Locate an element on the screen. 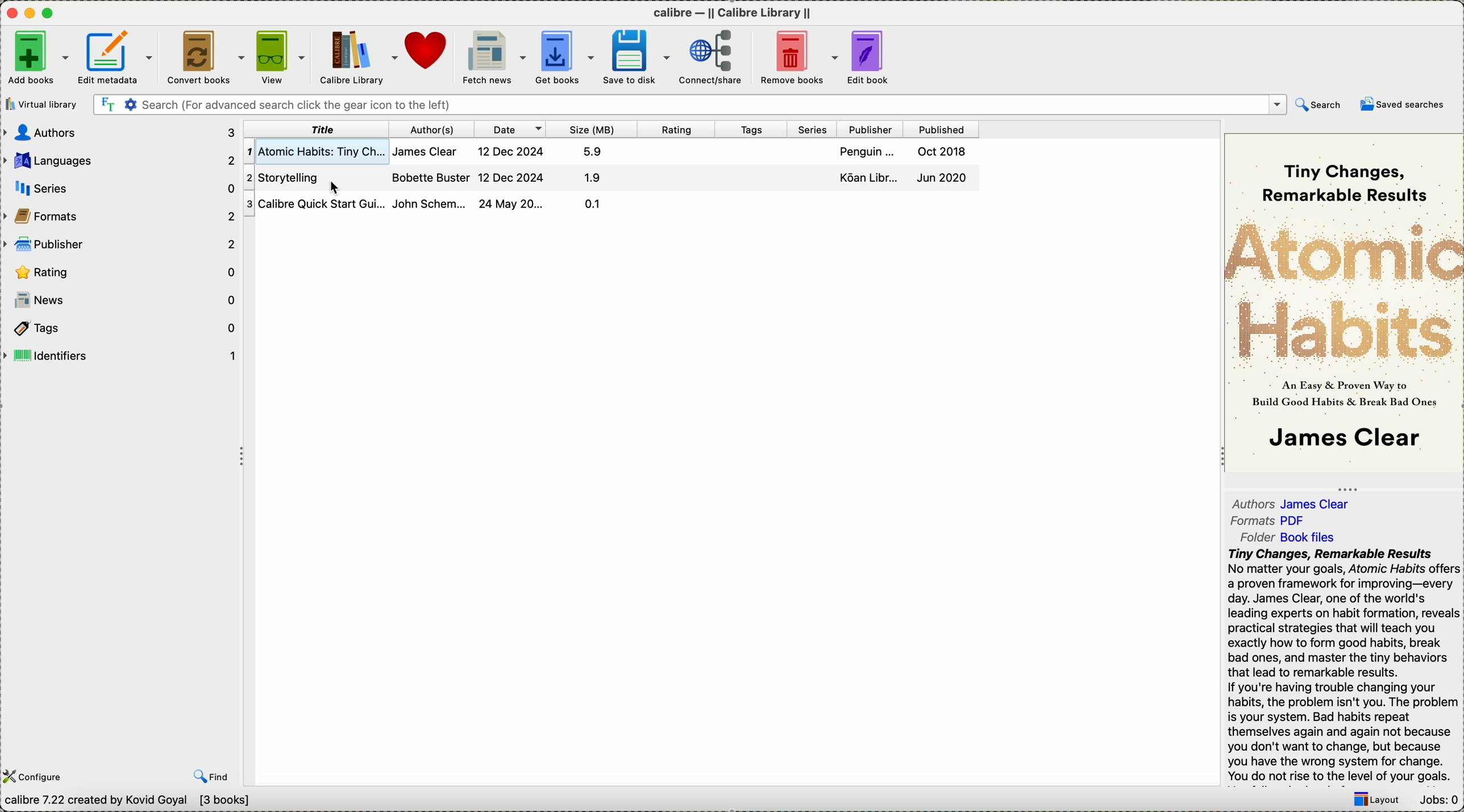  view is located at coordinates (280, 56).